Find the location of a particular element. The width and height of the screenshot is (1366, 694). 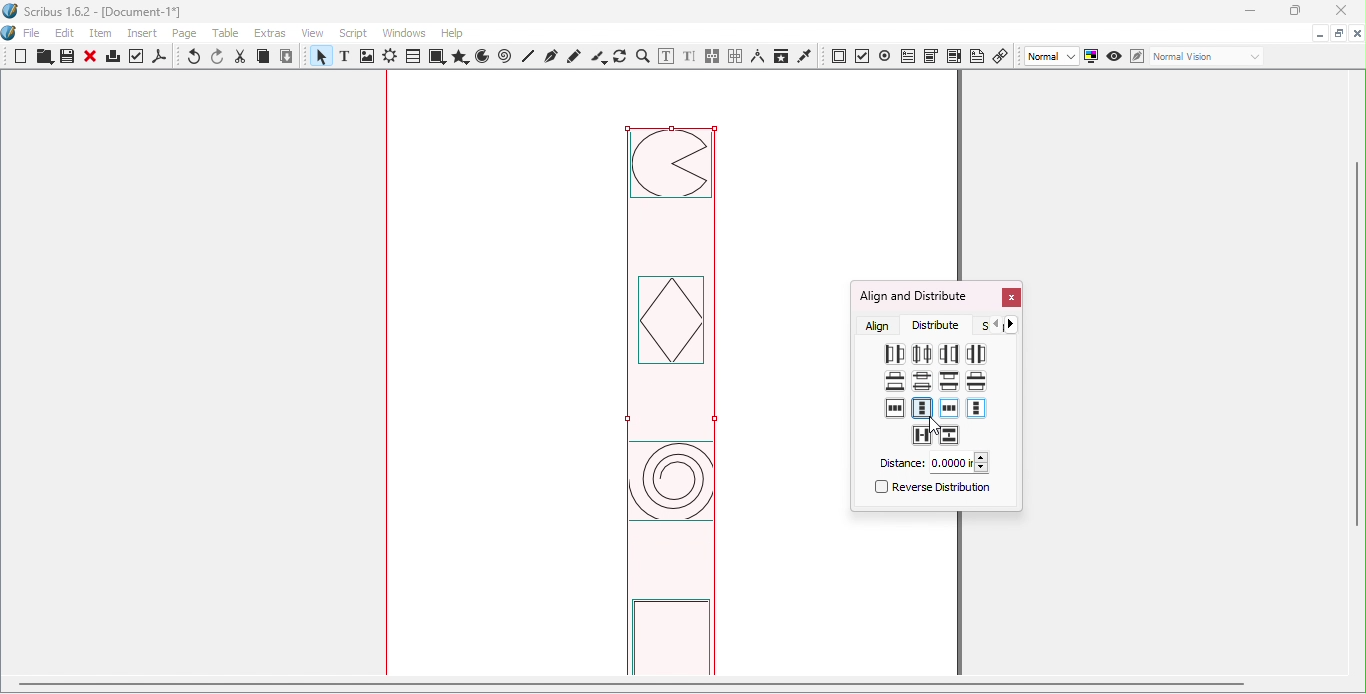

Copy item properties is located at coordinates (780, 56).